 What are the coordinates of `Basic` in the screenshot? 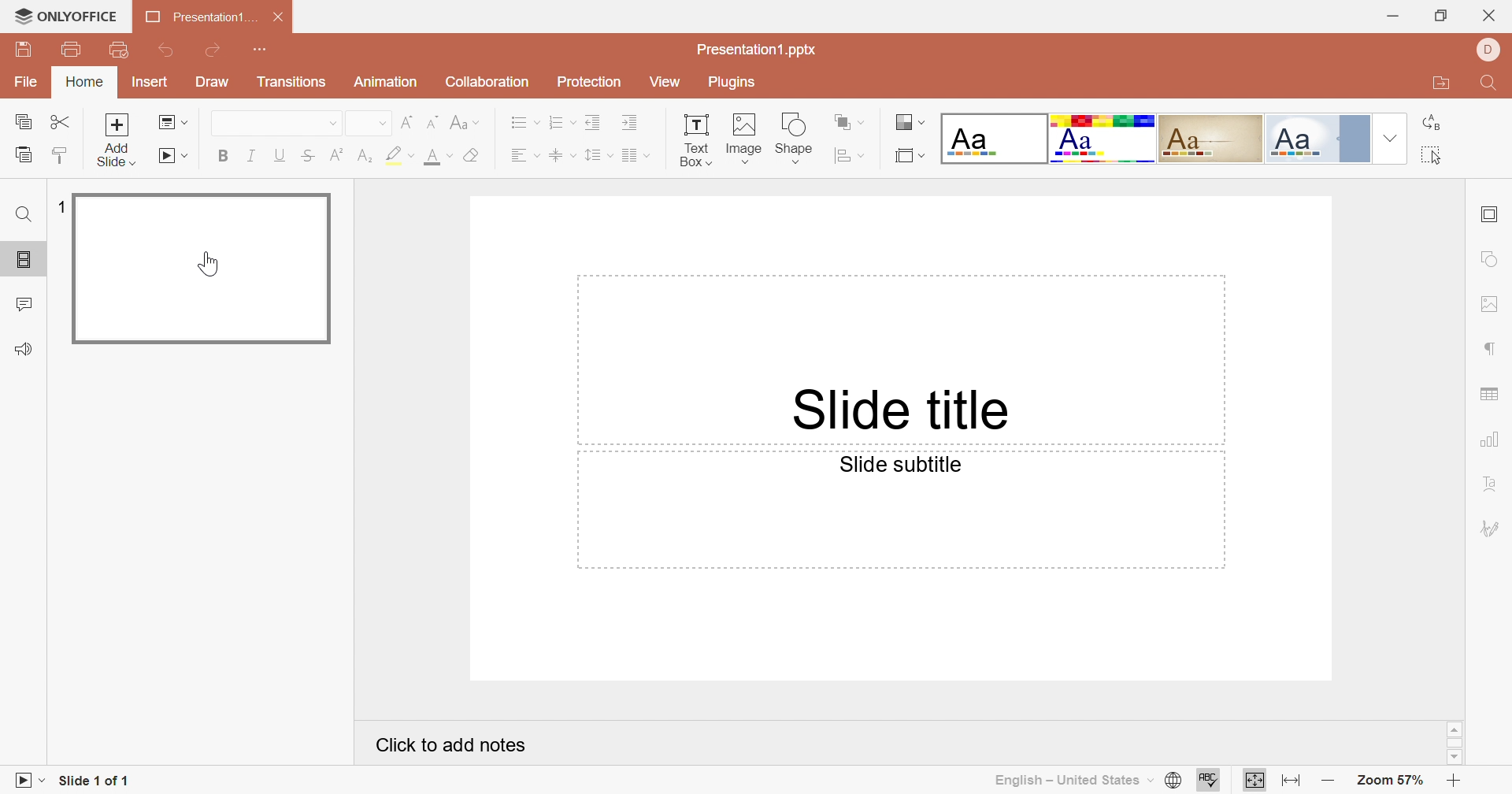 It's located at (1104, 139).